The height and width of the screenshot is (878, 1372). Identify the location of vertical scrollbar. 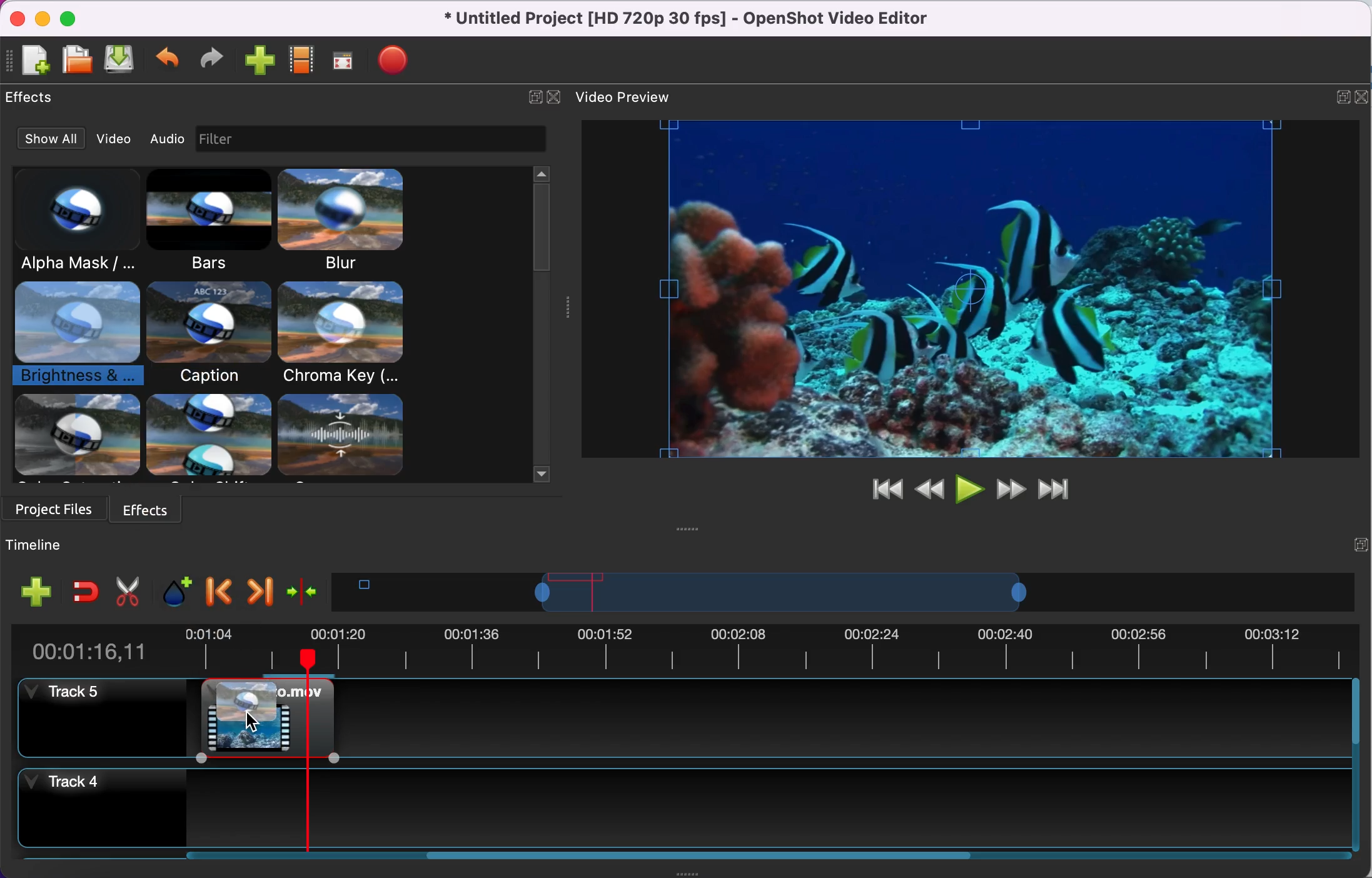
(541, 228).